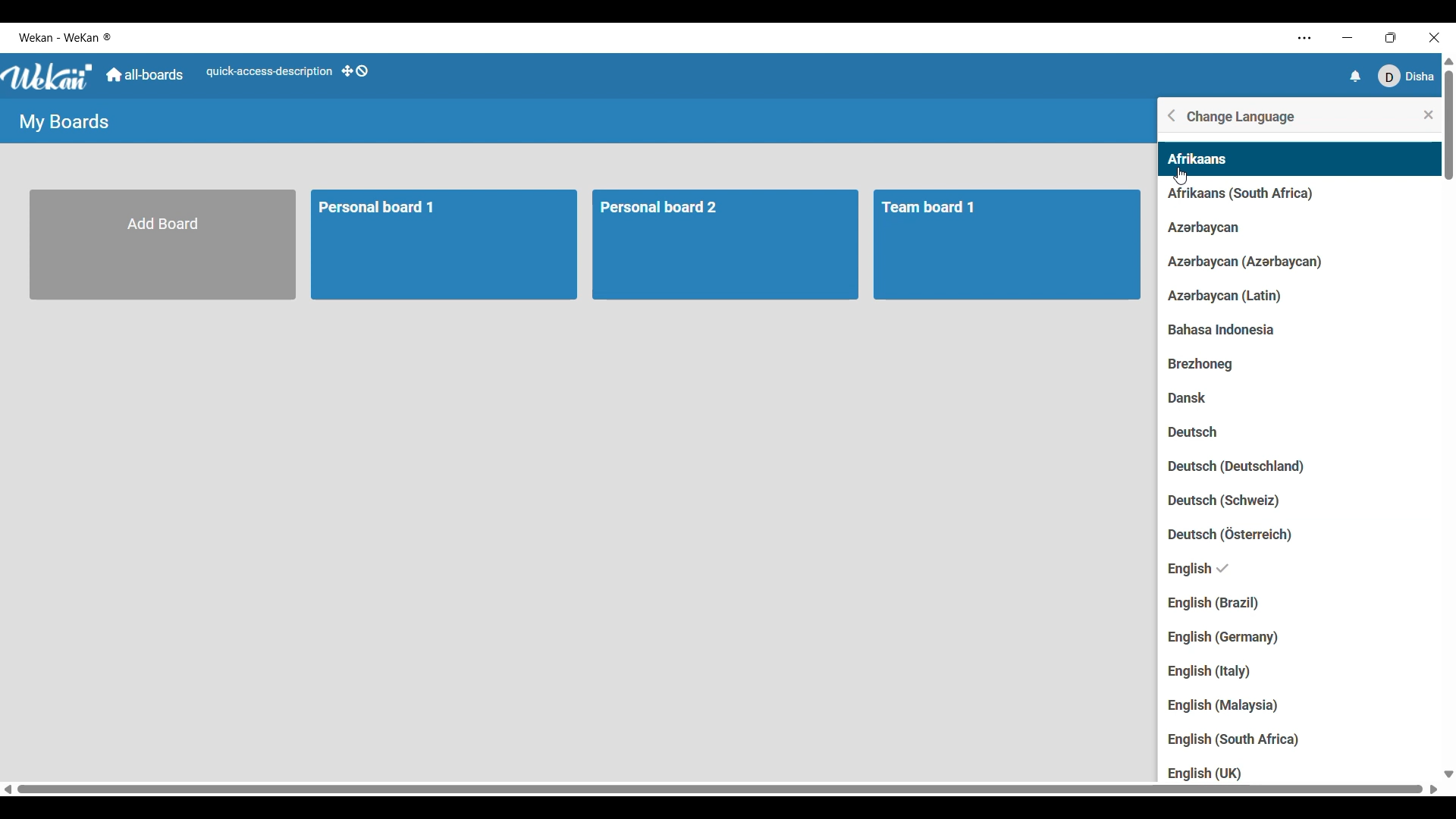 The width and height of the screenshot is (1456, 819). I want to click on cursor, so click(1185, 179).